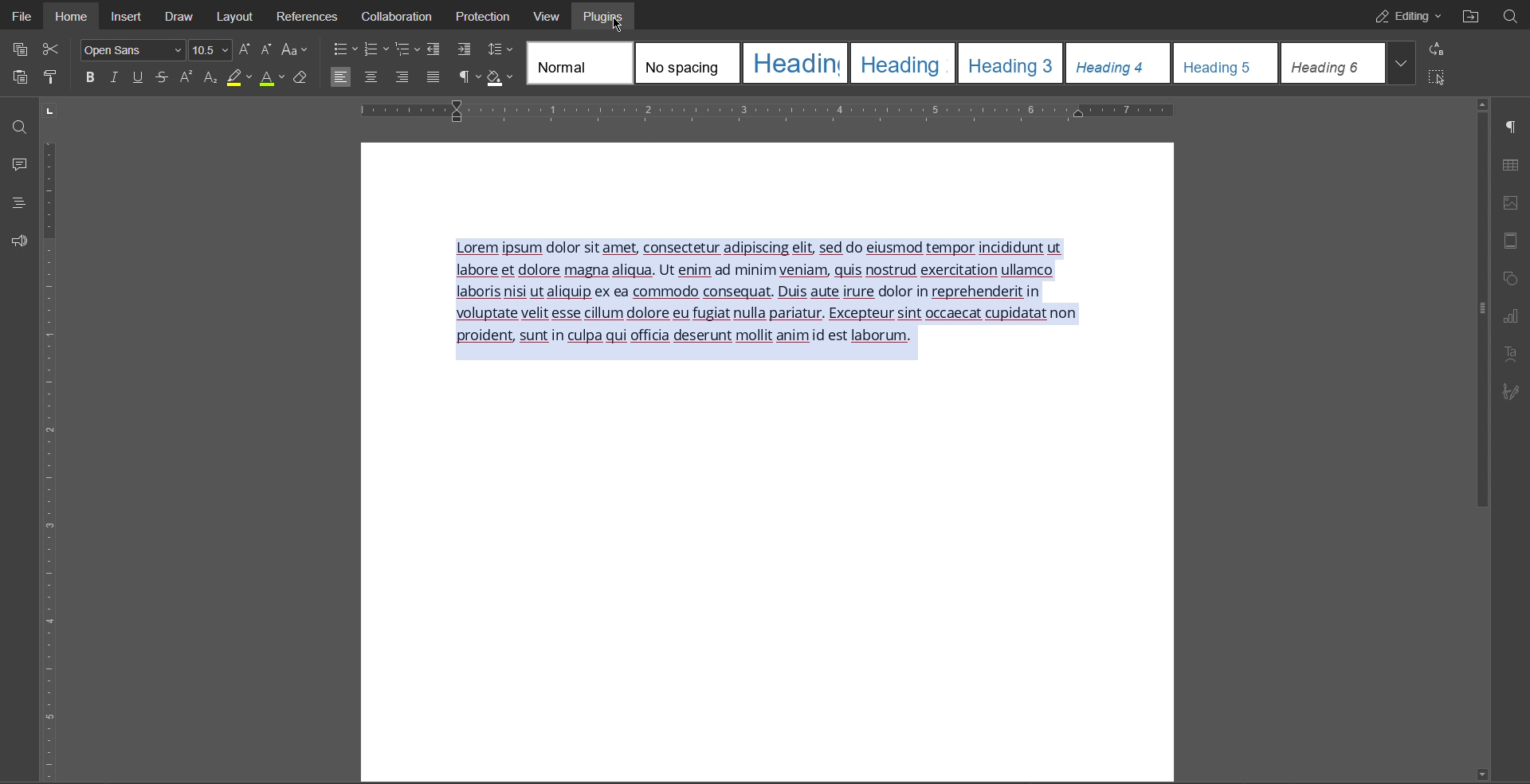 The width and height of the screenshot is (1530, 784). What do you see at coordinates (163, 78) in the screenshot?
I see `Strikeout` at bounding box center [163, 78].